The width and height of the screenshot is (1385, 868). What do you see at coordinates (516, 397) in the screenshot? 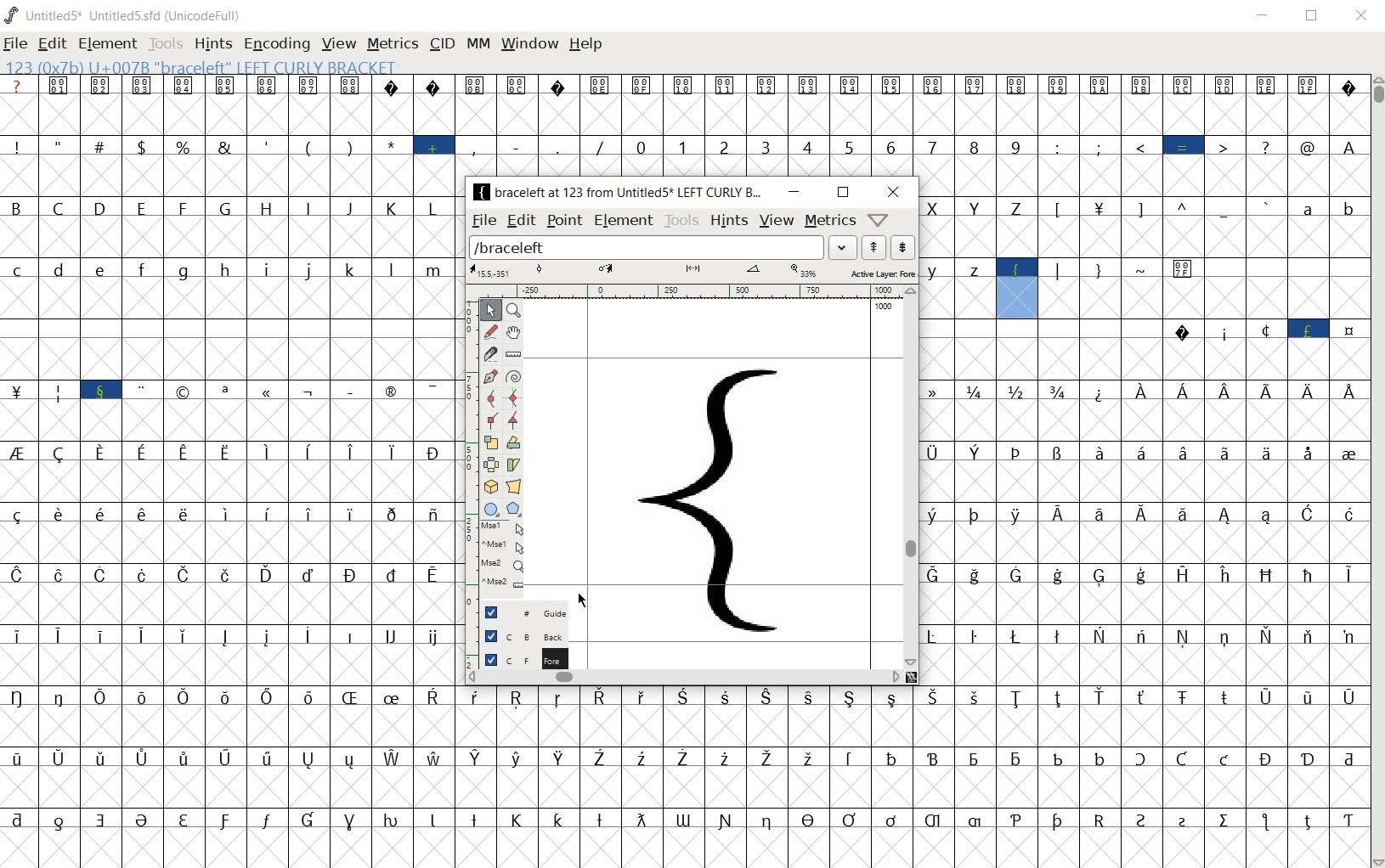
I see `add a curve point always either horizontal or vertical` at bounding box center [516, 397].